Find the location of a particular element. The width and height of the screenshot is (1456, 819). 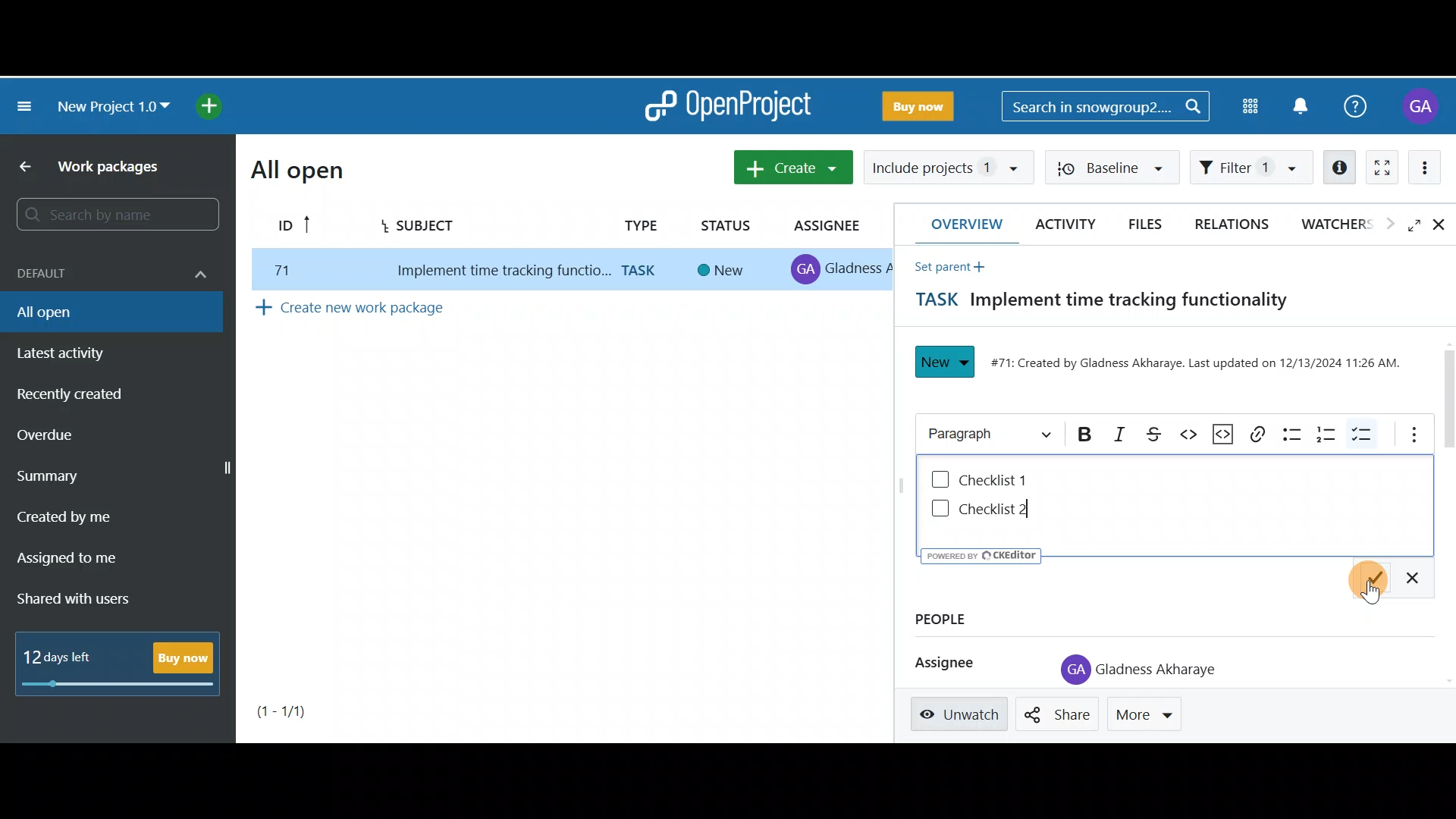

UY poweren ev © CKEditor is located at coordinates (981, 555).